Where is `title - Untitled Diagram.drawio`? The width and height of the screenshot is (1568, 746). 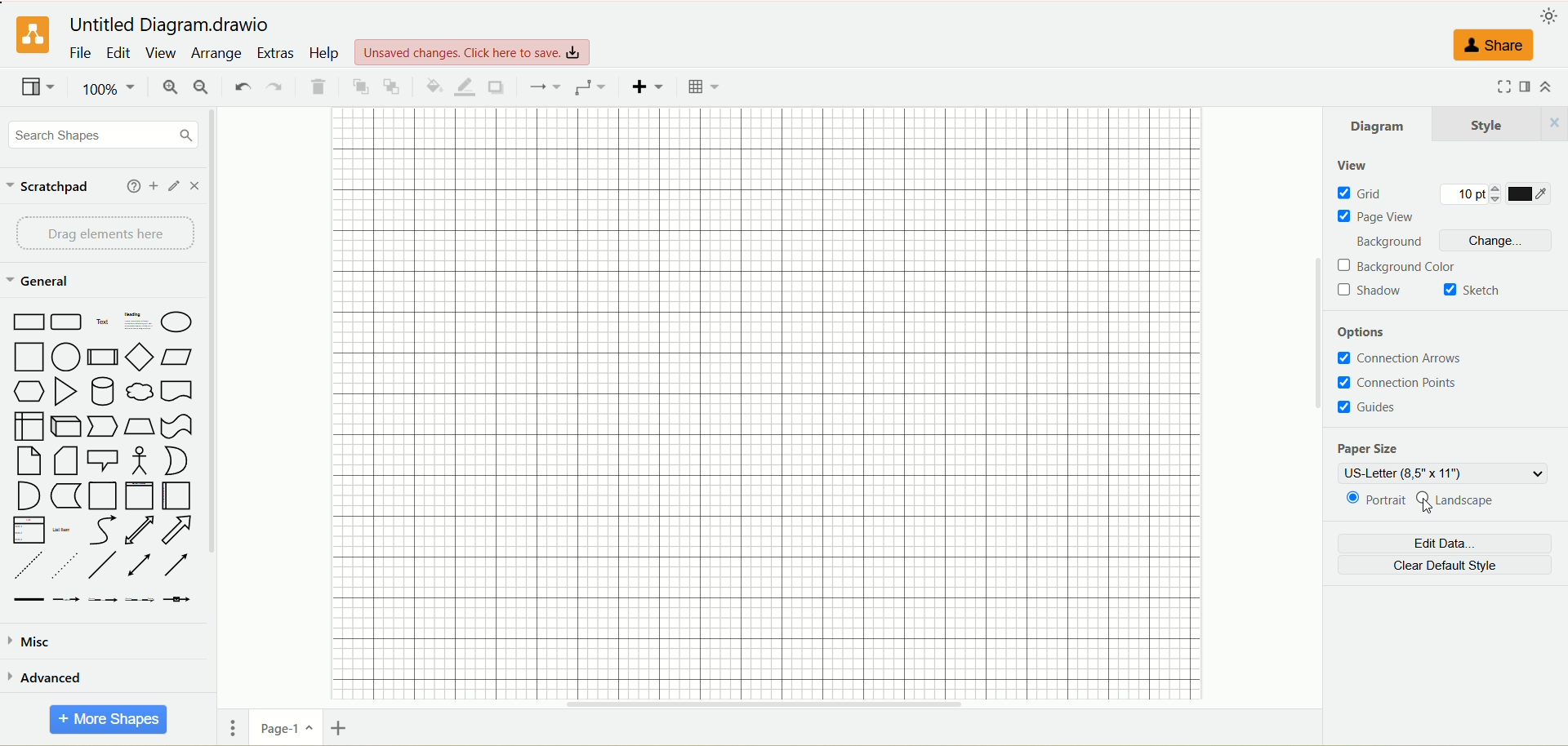 title - Untitled Diagram.drawio is located at coordinates (168, 24).